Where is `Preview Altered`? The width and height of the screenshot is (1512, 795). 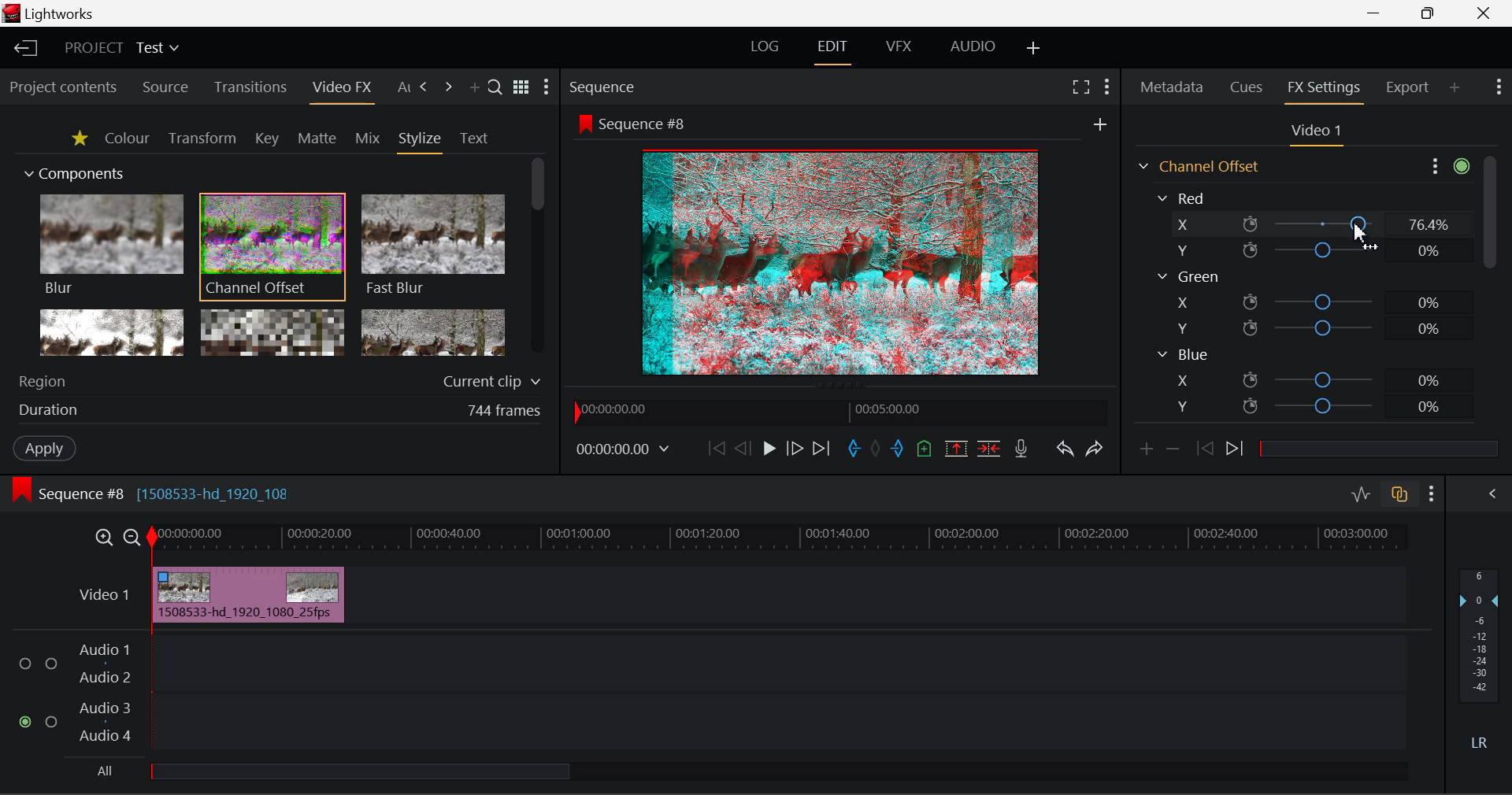 Preview Altered is located at coordinates (843, 260).